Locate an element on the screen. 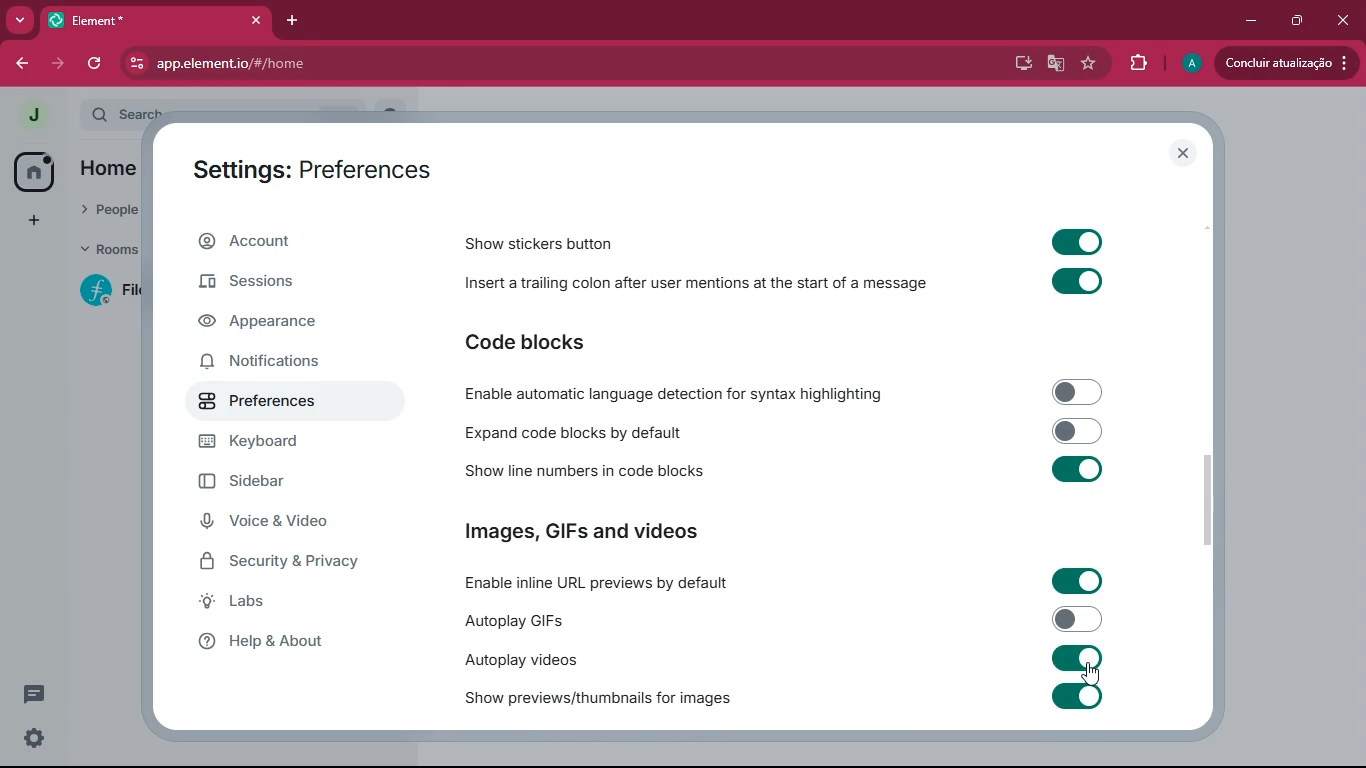 This screenshot has width=1366, height=768. close tab is located at coordinates (260, 19).